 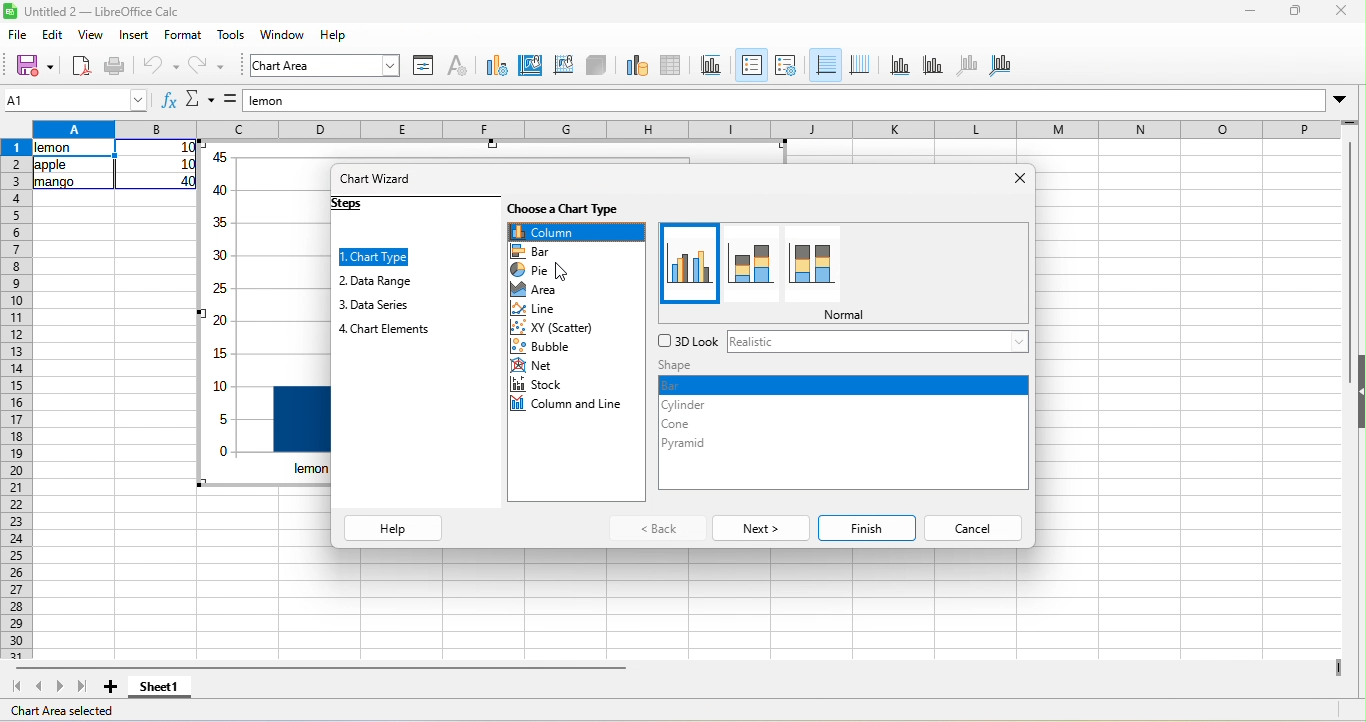 What do you see at coordinates (221, 315) in the screenshot?
I see `Chart no` at bounding box center [221, 315].